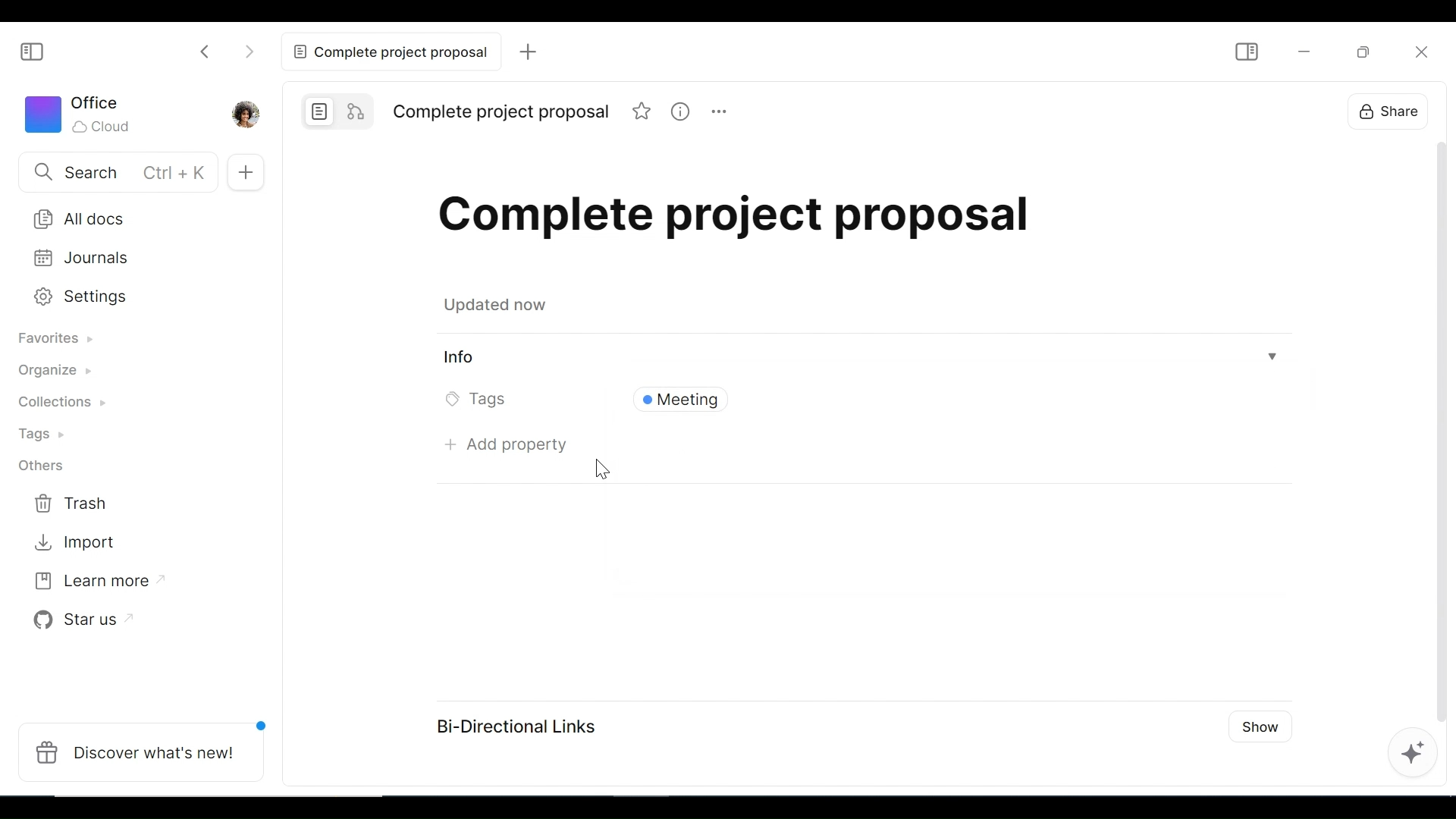 This screenshot has width=1456, height=819. What do you see at coordinates (602, 467) in the screenshot?
I see `cursor` at bounding box center [602, 467].